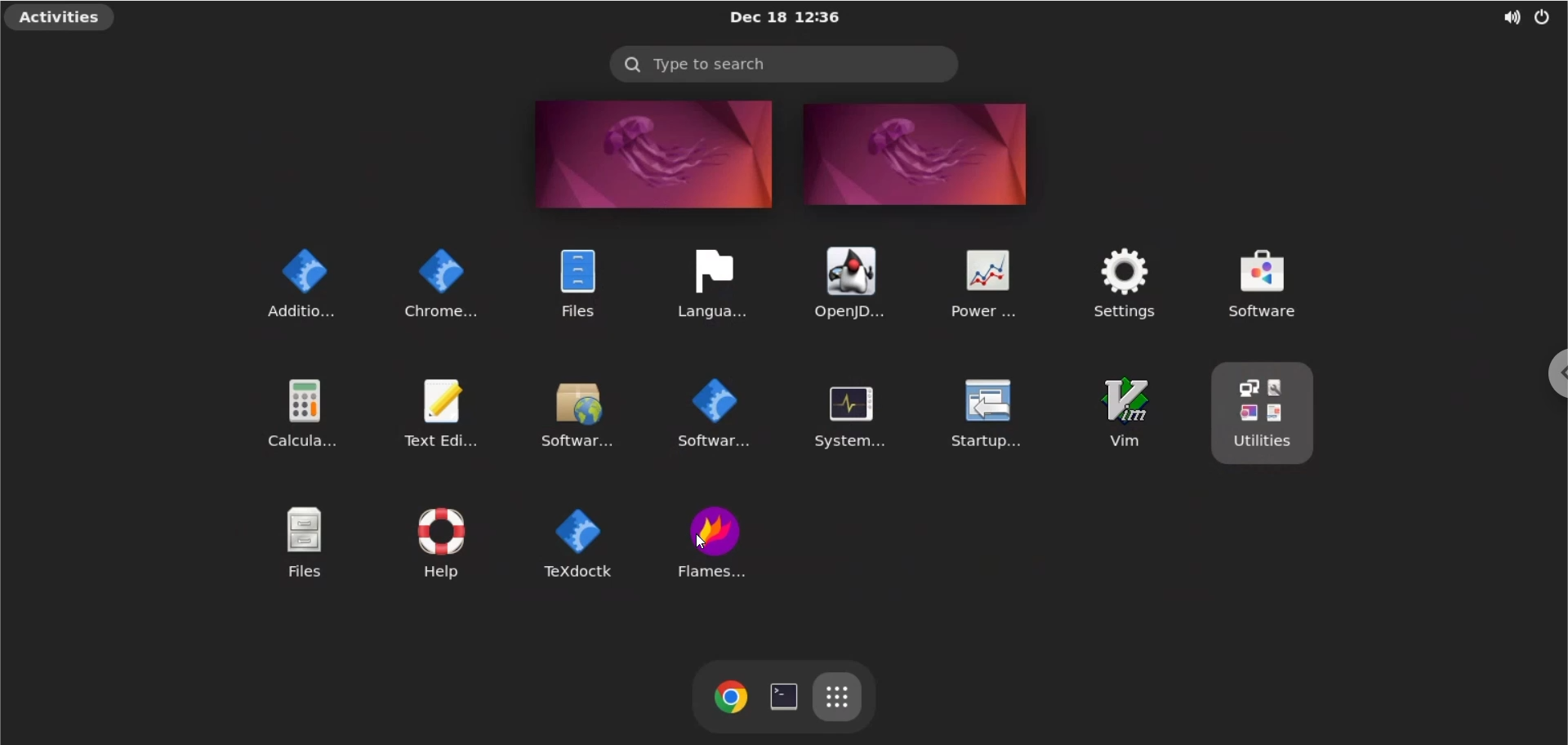 Image resolution: width=1568 pixels, height=745 pixels. I want to click on activity screen two, so click(918, 155).